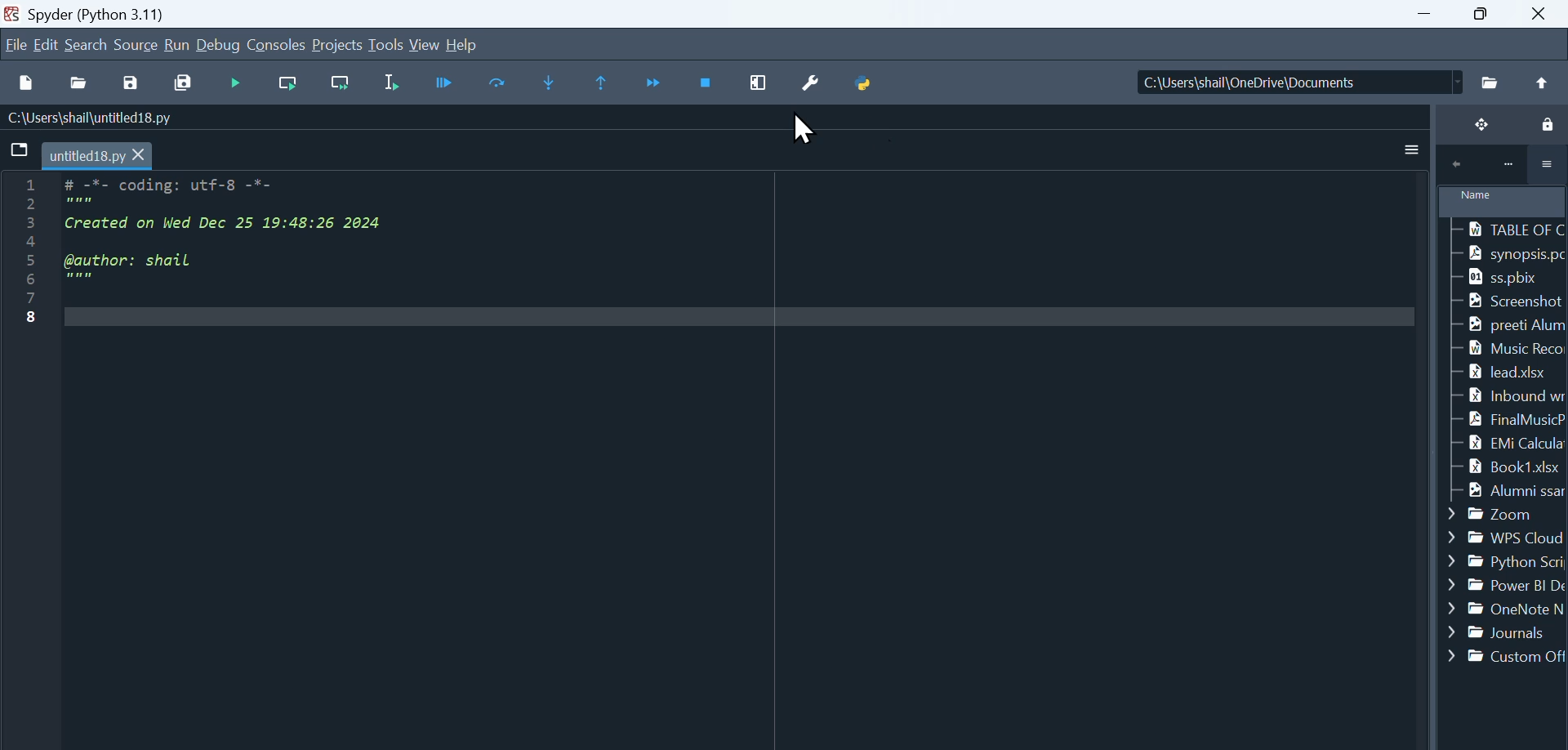 The height and width of the screenshot is (750, 1568). I want to click on More options, so click(1548, 166).